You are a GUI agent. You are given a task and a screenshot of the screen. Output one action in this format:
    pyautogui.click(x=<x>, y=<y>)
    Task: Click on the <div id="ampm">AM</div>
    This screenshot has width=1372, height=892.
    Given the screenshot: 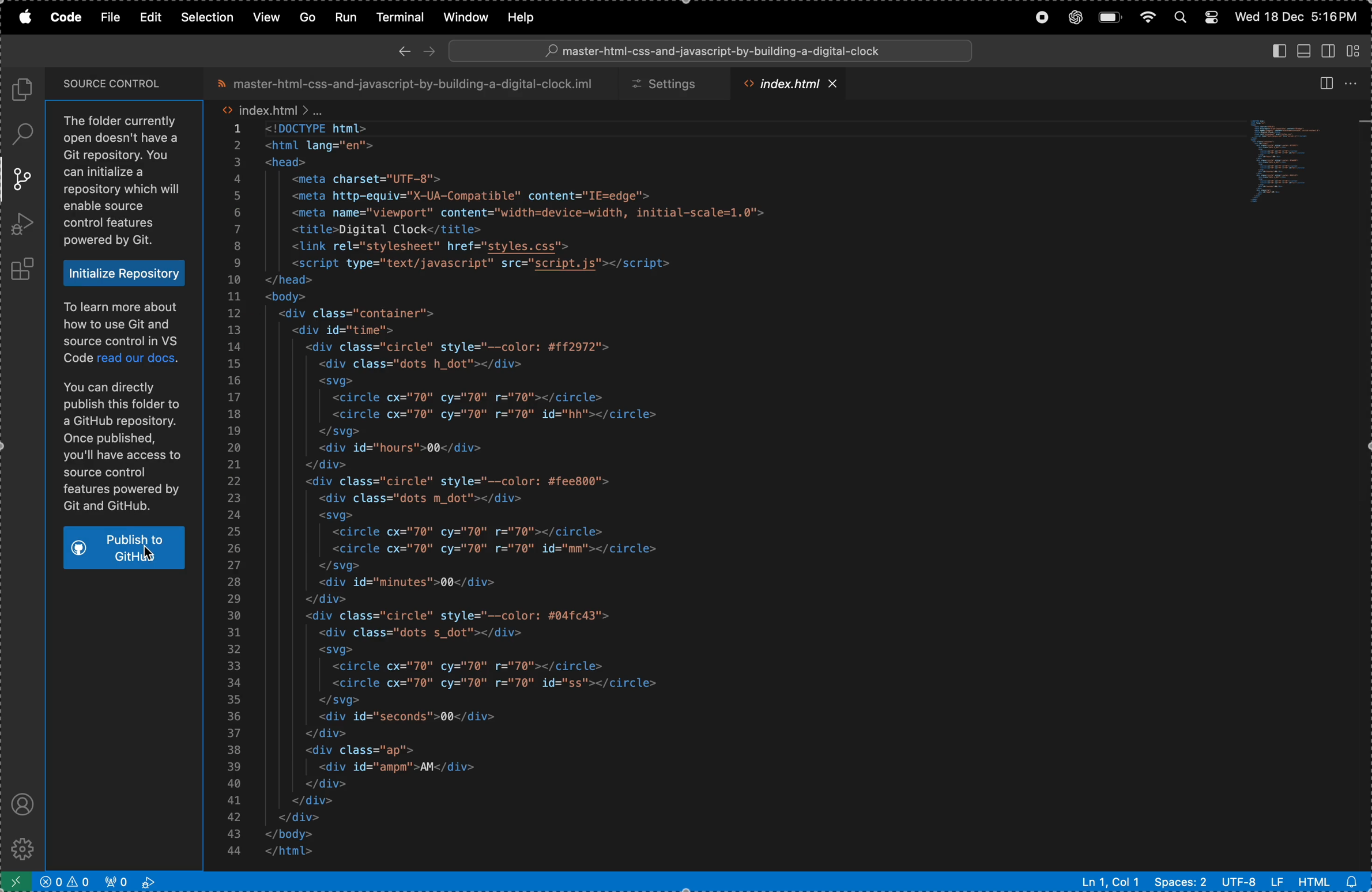 What is the action you would take?
    pyautogui.click(x=404, y=767)
    